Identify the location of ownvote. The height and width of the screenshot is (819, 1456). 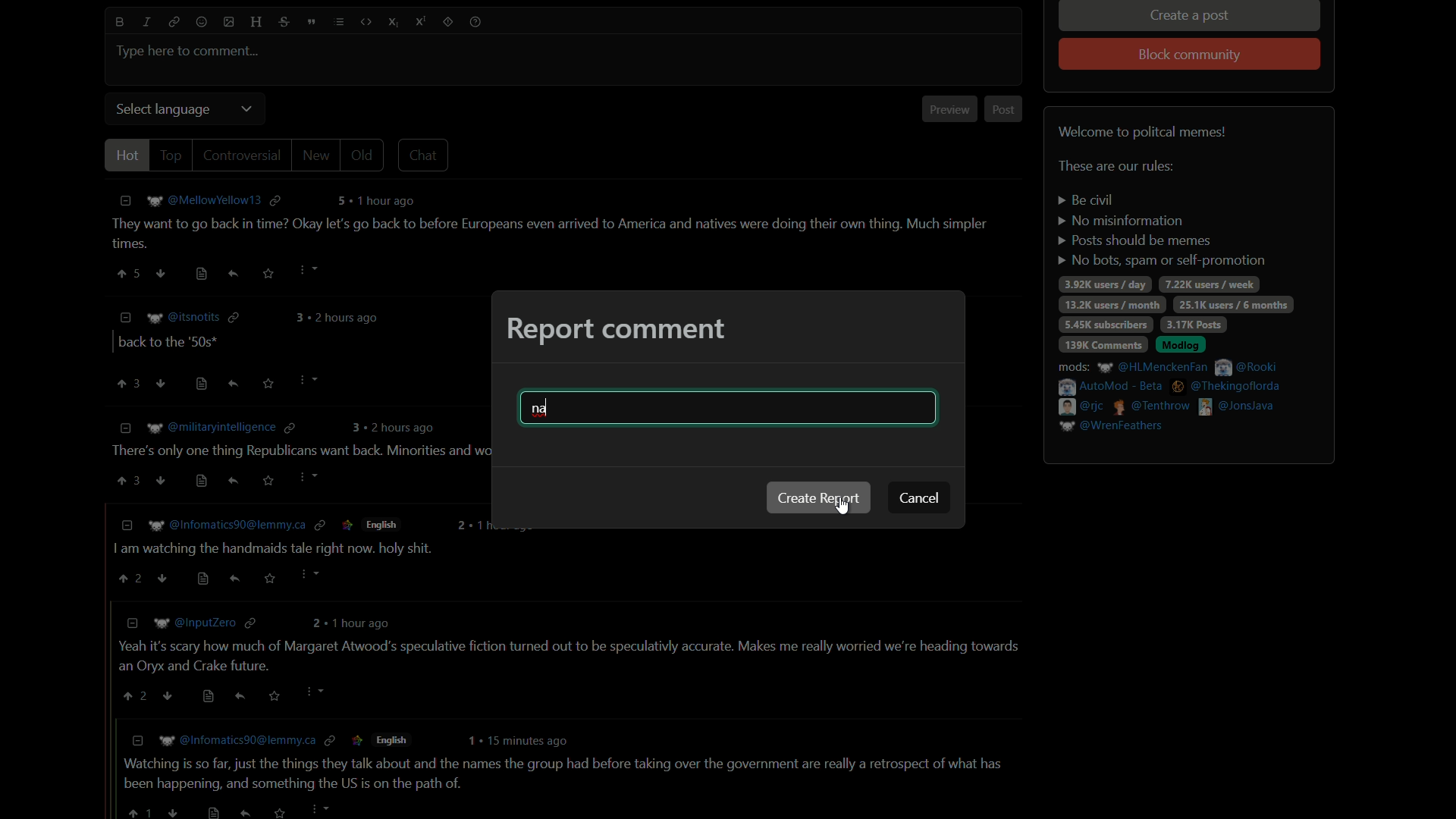
(162, 383).